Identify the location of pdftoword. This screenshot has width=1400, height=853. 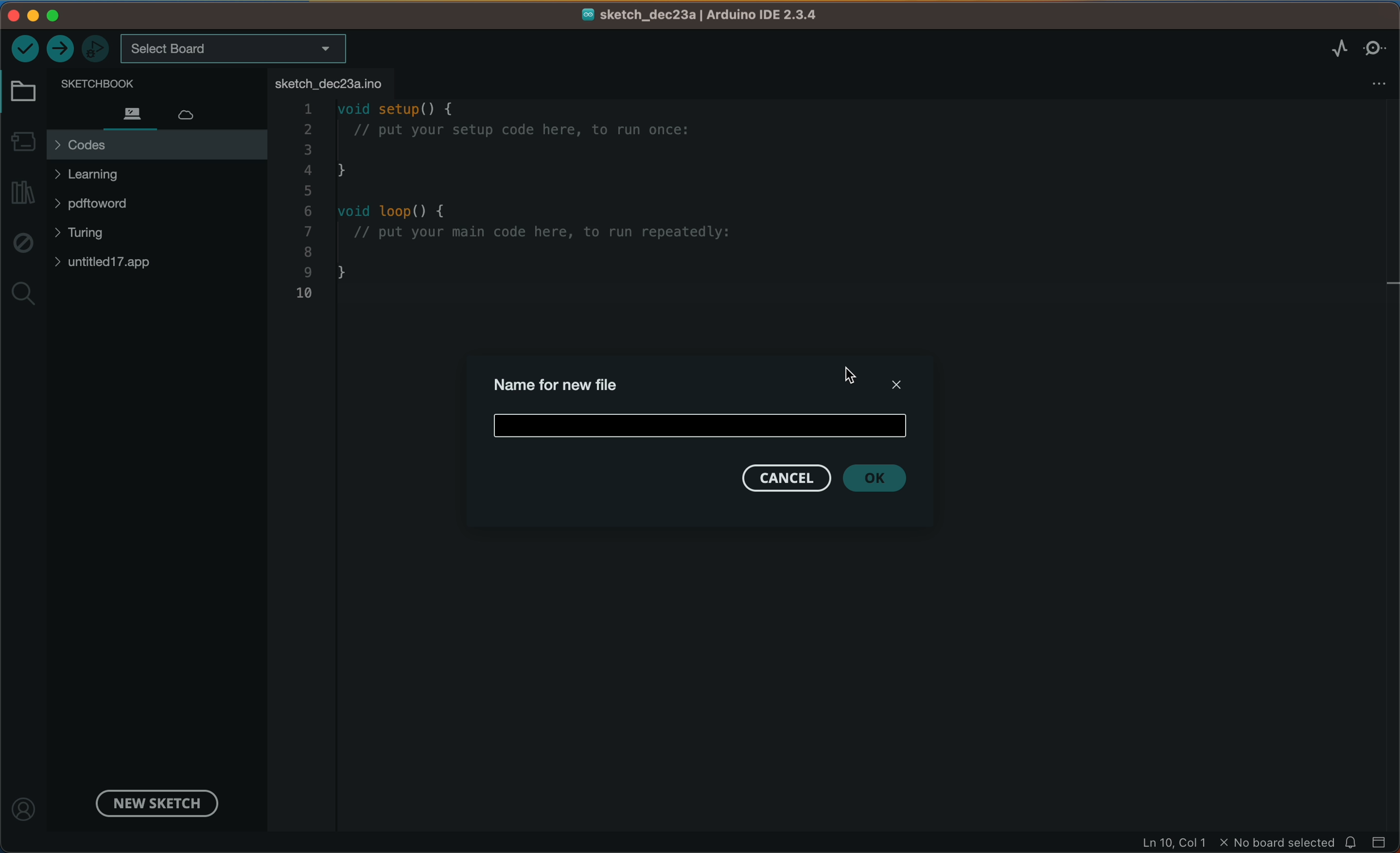
(111, 206).